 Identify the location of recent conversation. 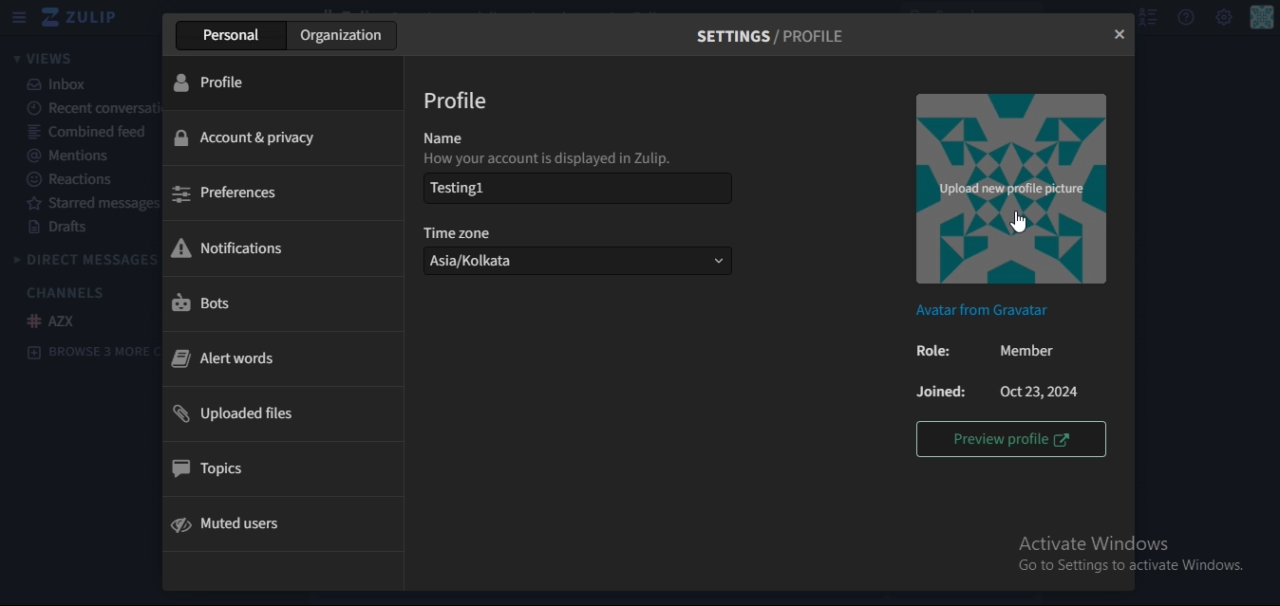
(102, 107).